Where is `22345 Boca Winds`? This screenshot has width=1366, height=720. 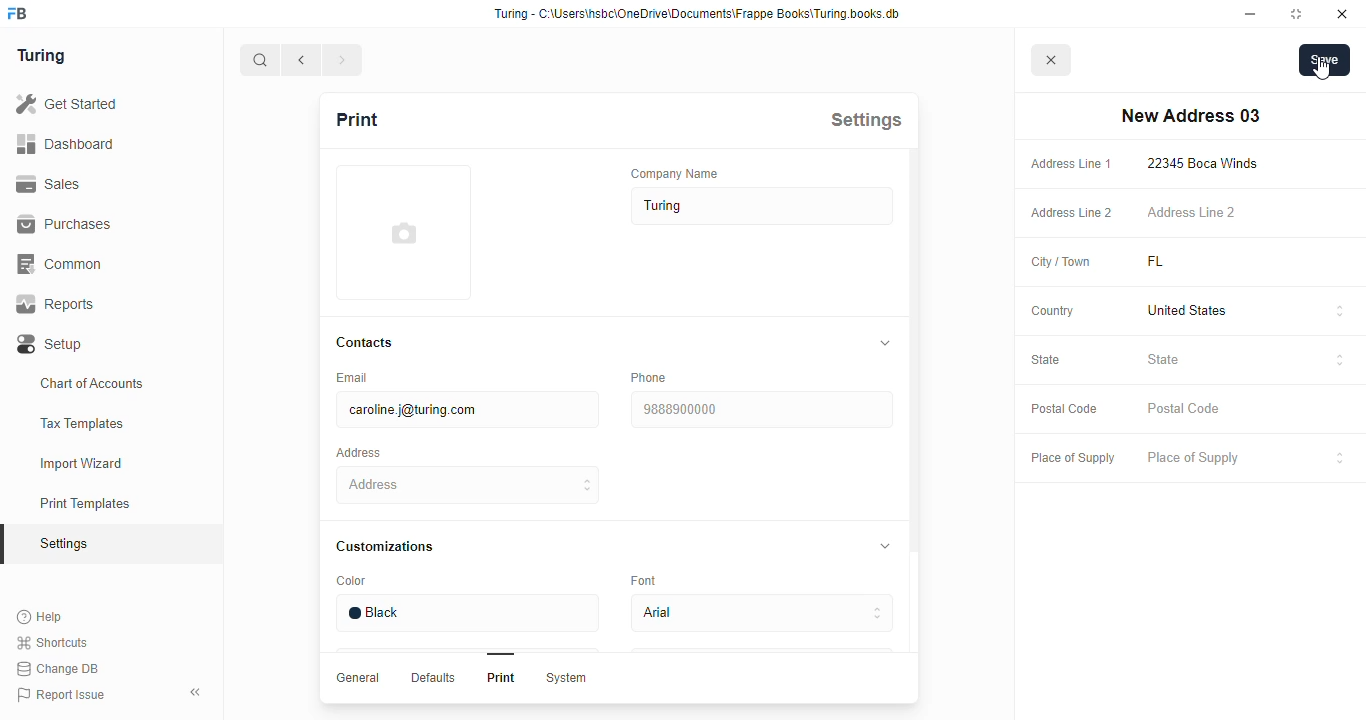 22345 Boca Winds is located at coordinates (1207, 163).